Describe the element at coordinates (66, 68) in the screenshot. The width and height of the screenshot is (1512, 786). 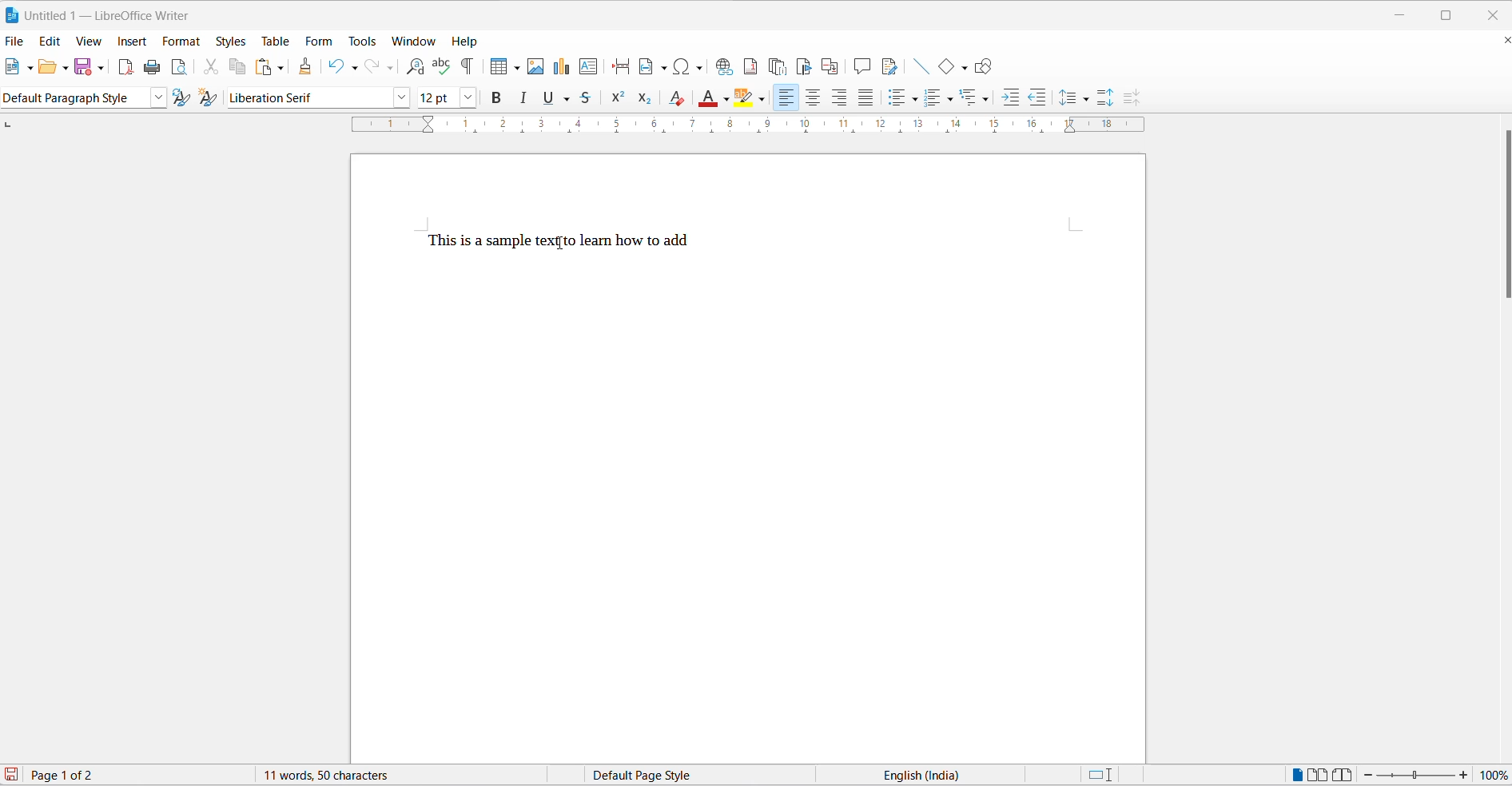
I see `open options` at that location.